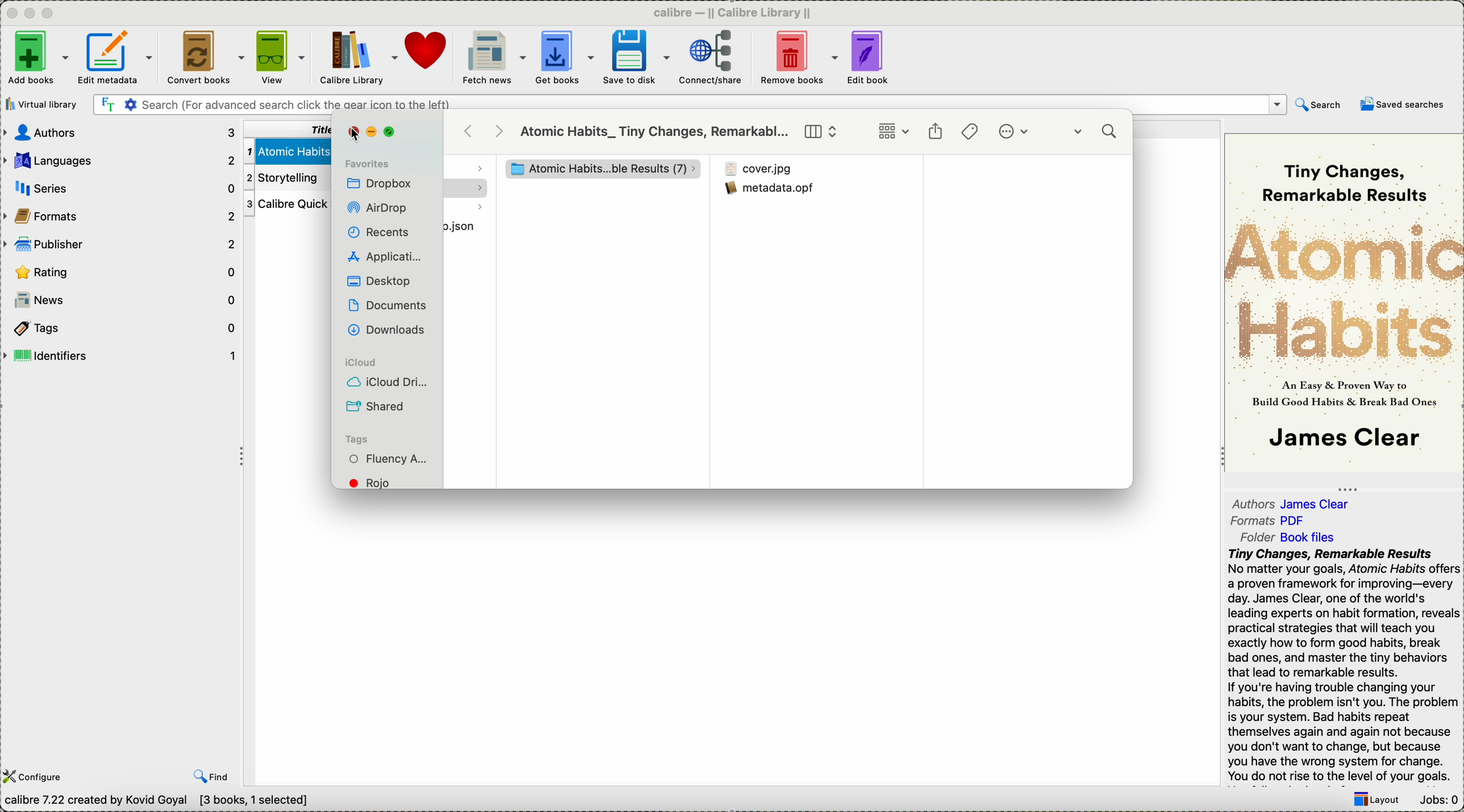 This screenshot has height=812, width=1464. Describe the element at coordinates (36, 59) in the screenshot. I see `add books` at that location.